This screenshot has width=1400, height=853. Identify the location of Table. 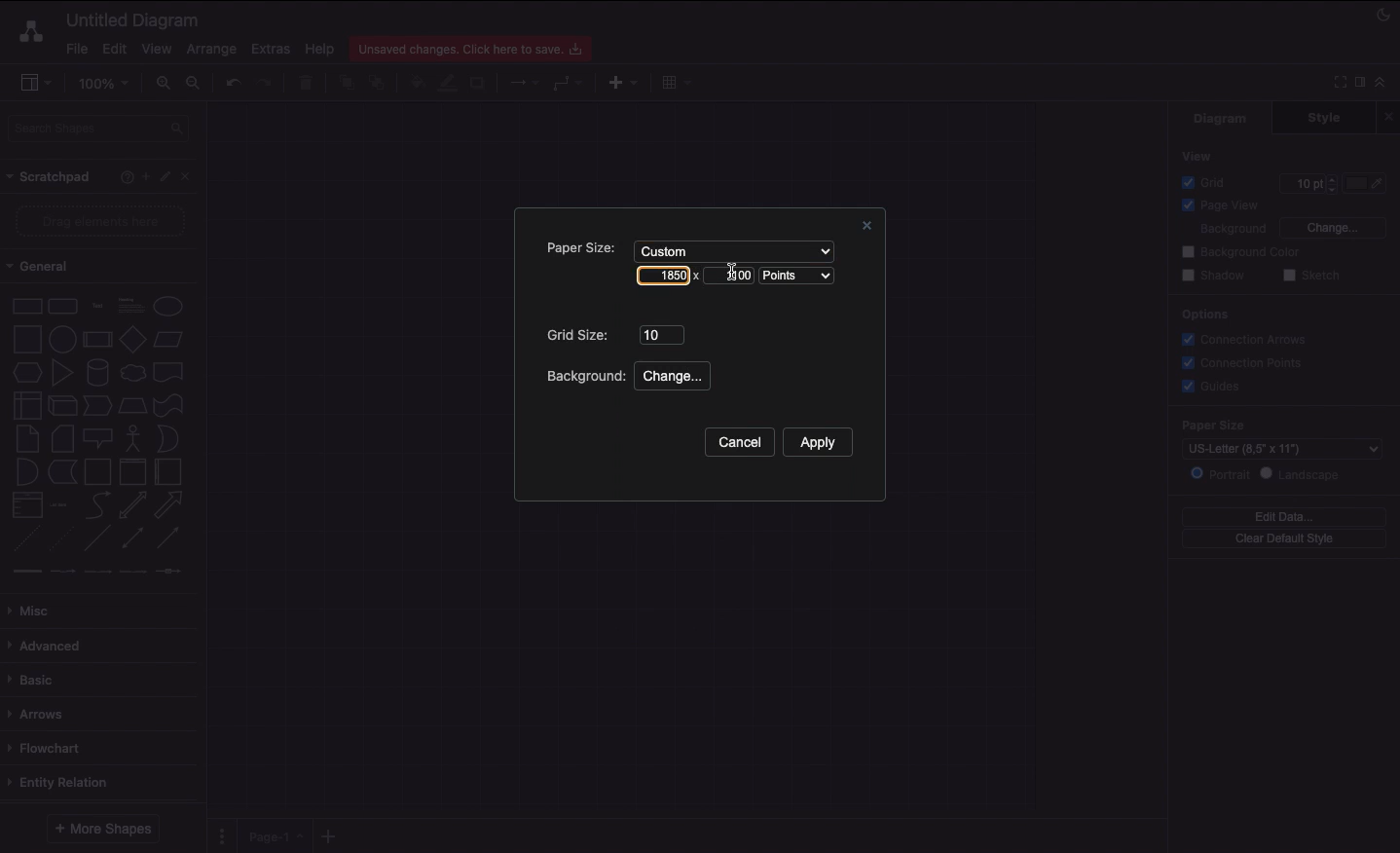
(674, 81).